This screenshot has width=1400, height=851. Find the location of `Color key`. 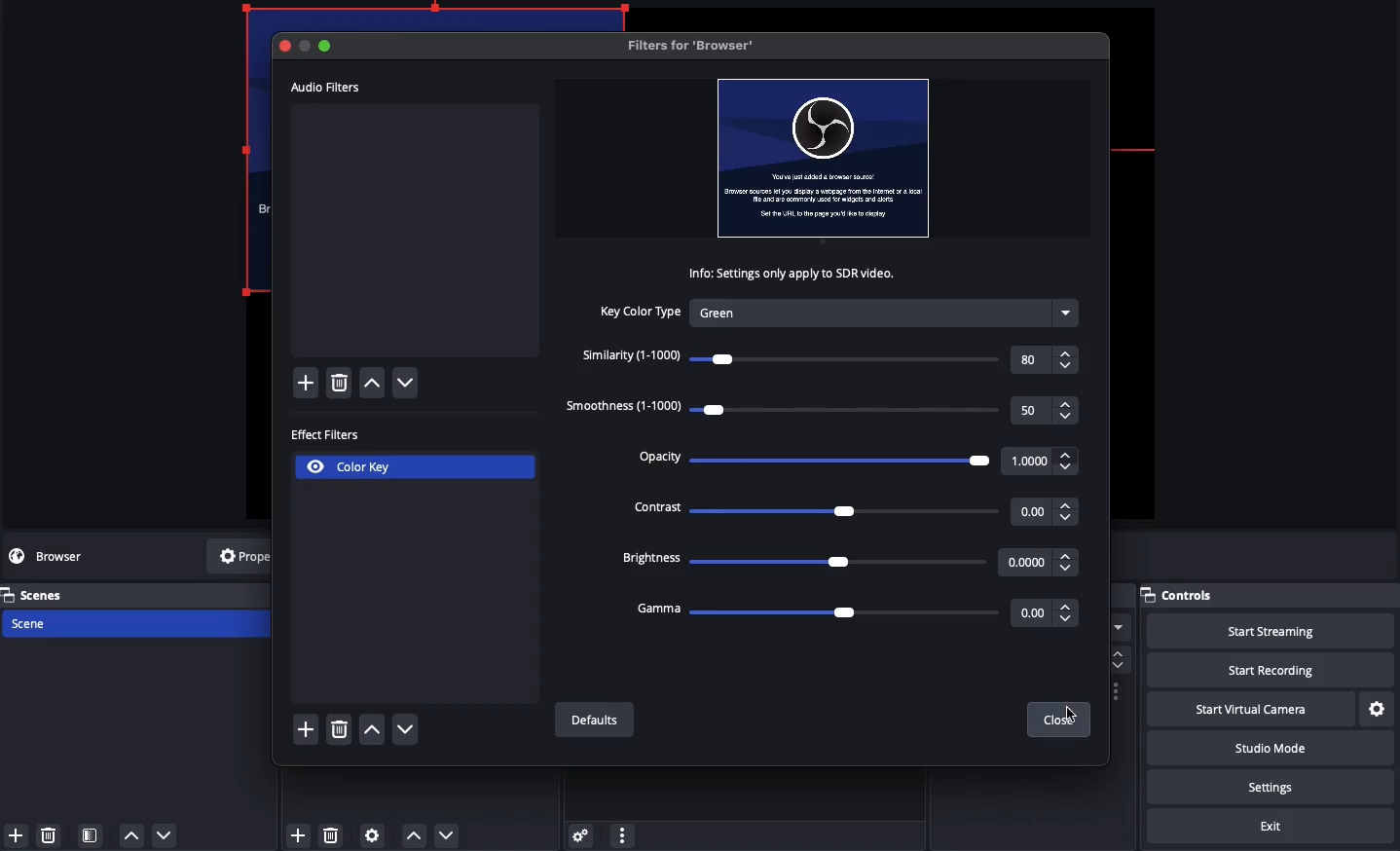

Color key is located at coordinates (414, 467).